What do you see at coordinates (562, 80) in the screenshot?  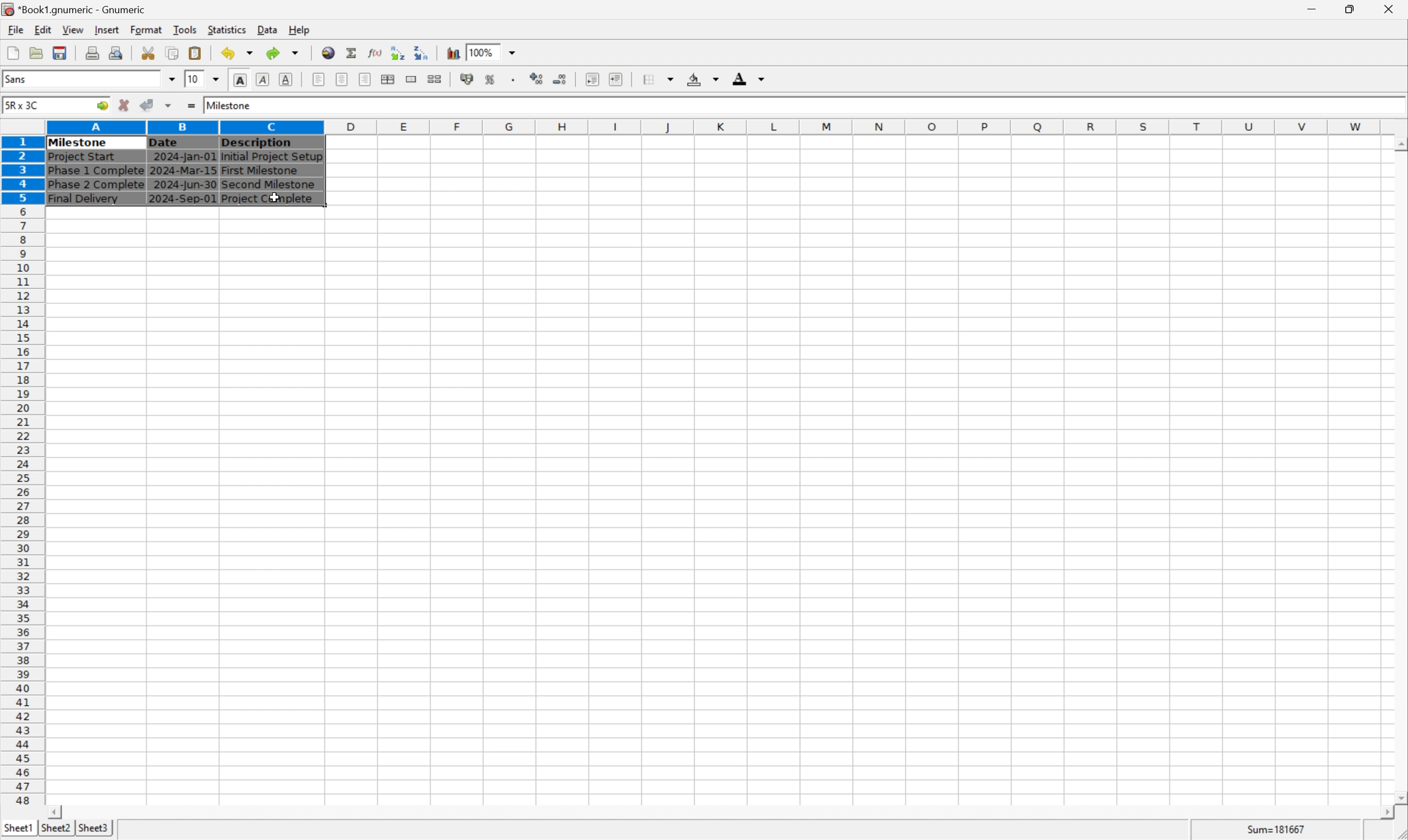 I see `decrease number of decimals displayed` at bounding box center [562, 80].